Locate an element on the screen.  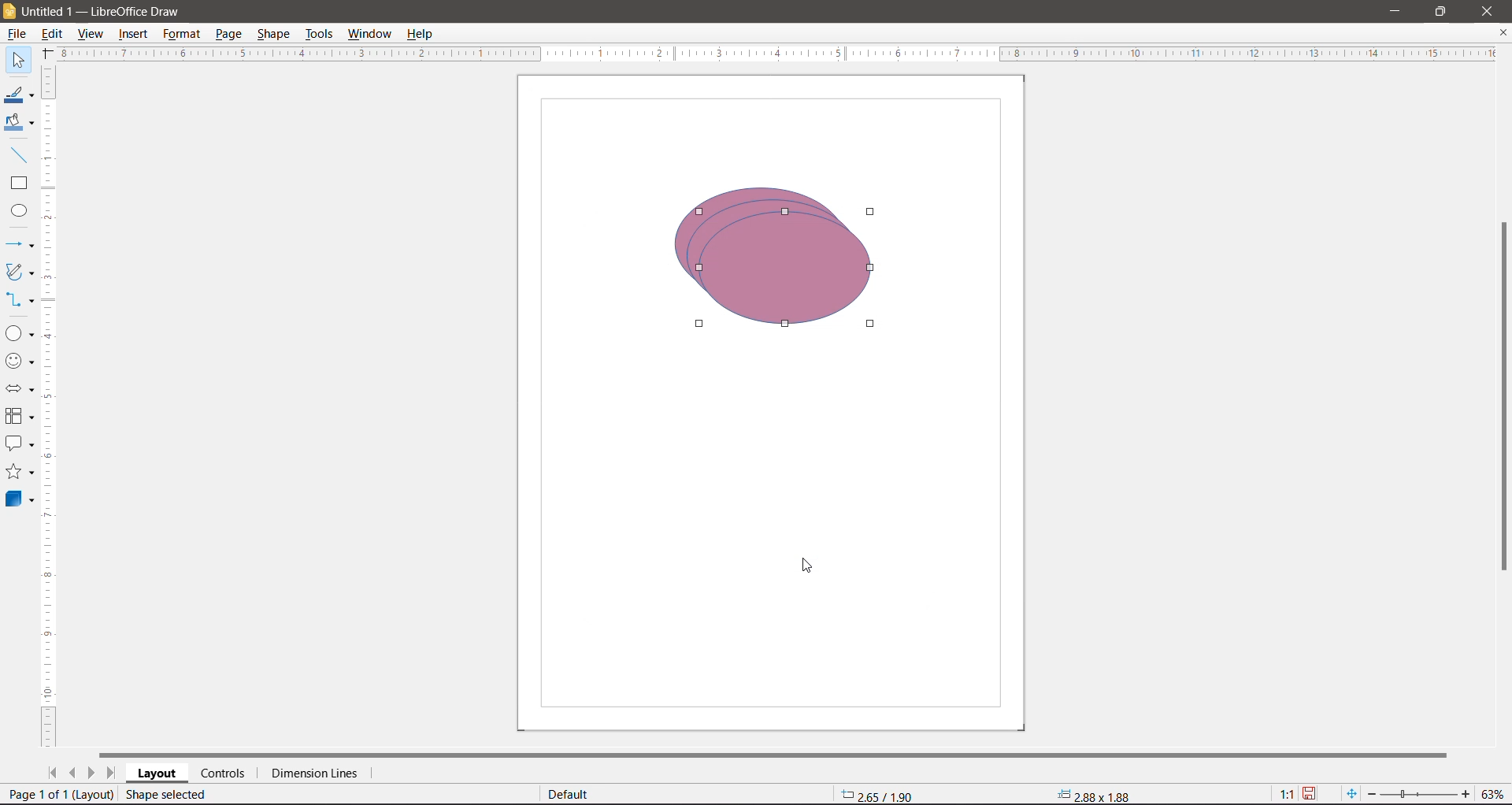
View is located at coordinates (92, 33).